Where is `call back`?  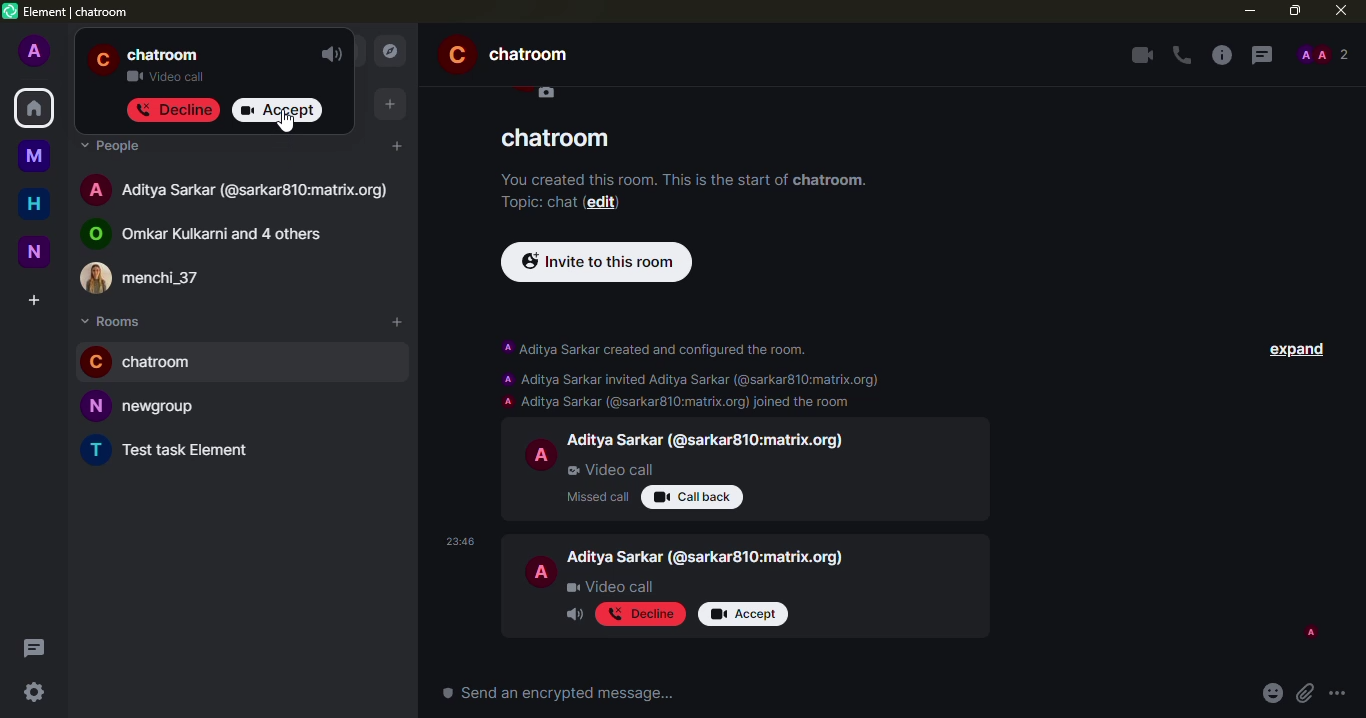
call back is located at coordinates (692, 497).